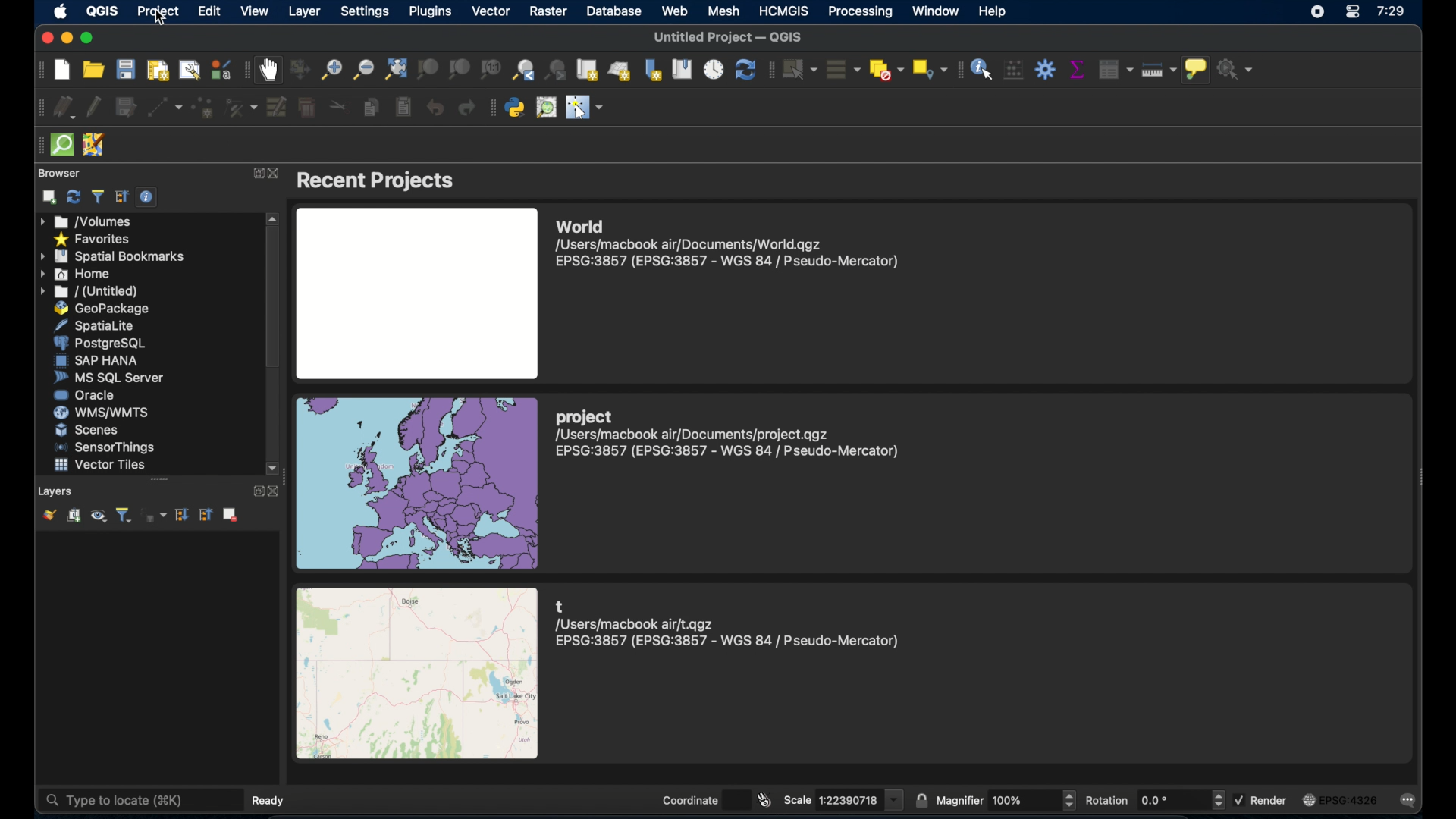 This screenshot has height=819, width=1456. I want to click on untitled, so click(87, 292).